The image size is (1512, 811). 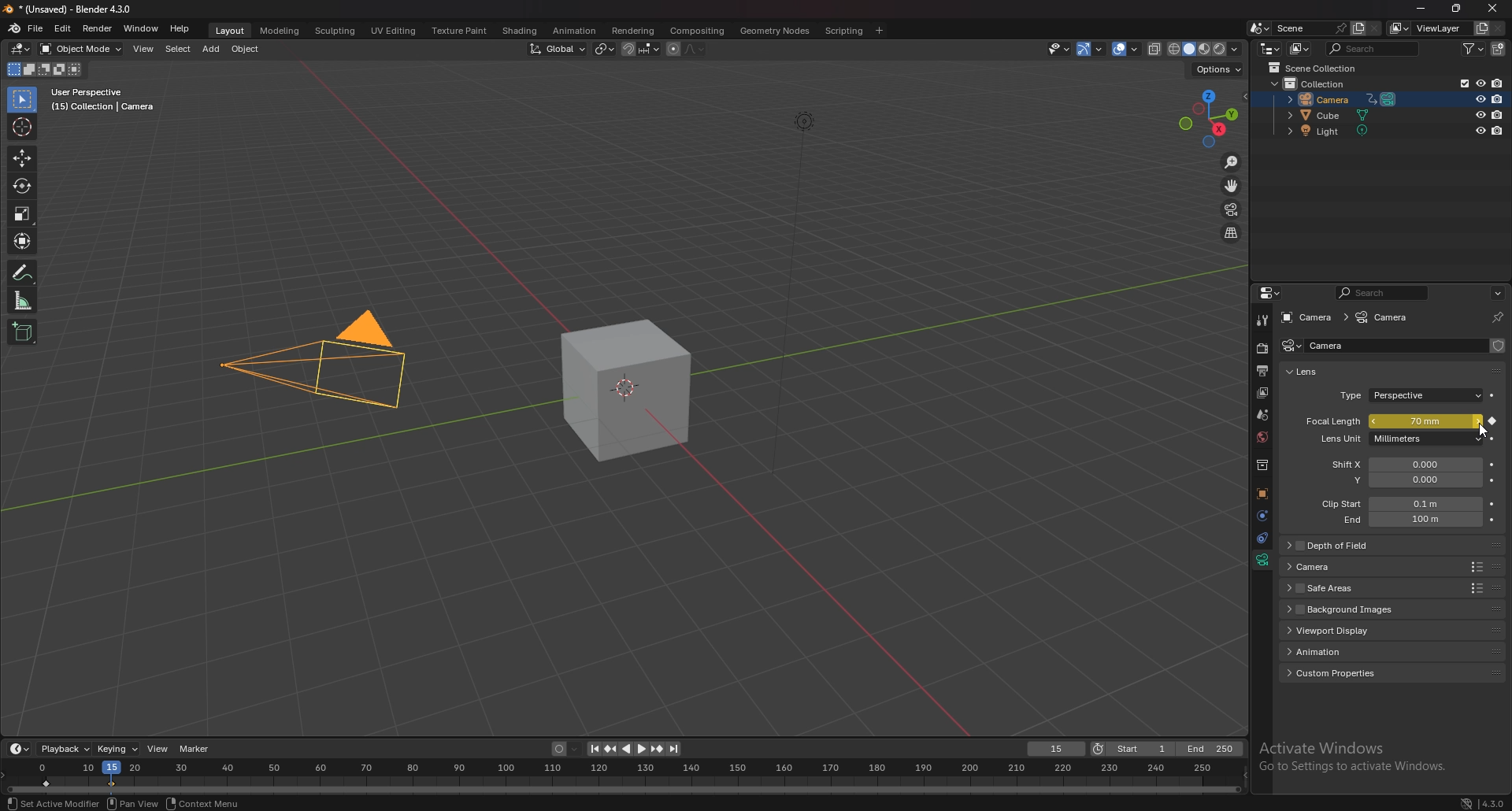 I want to click on play animation, so click(x=635, y=749).